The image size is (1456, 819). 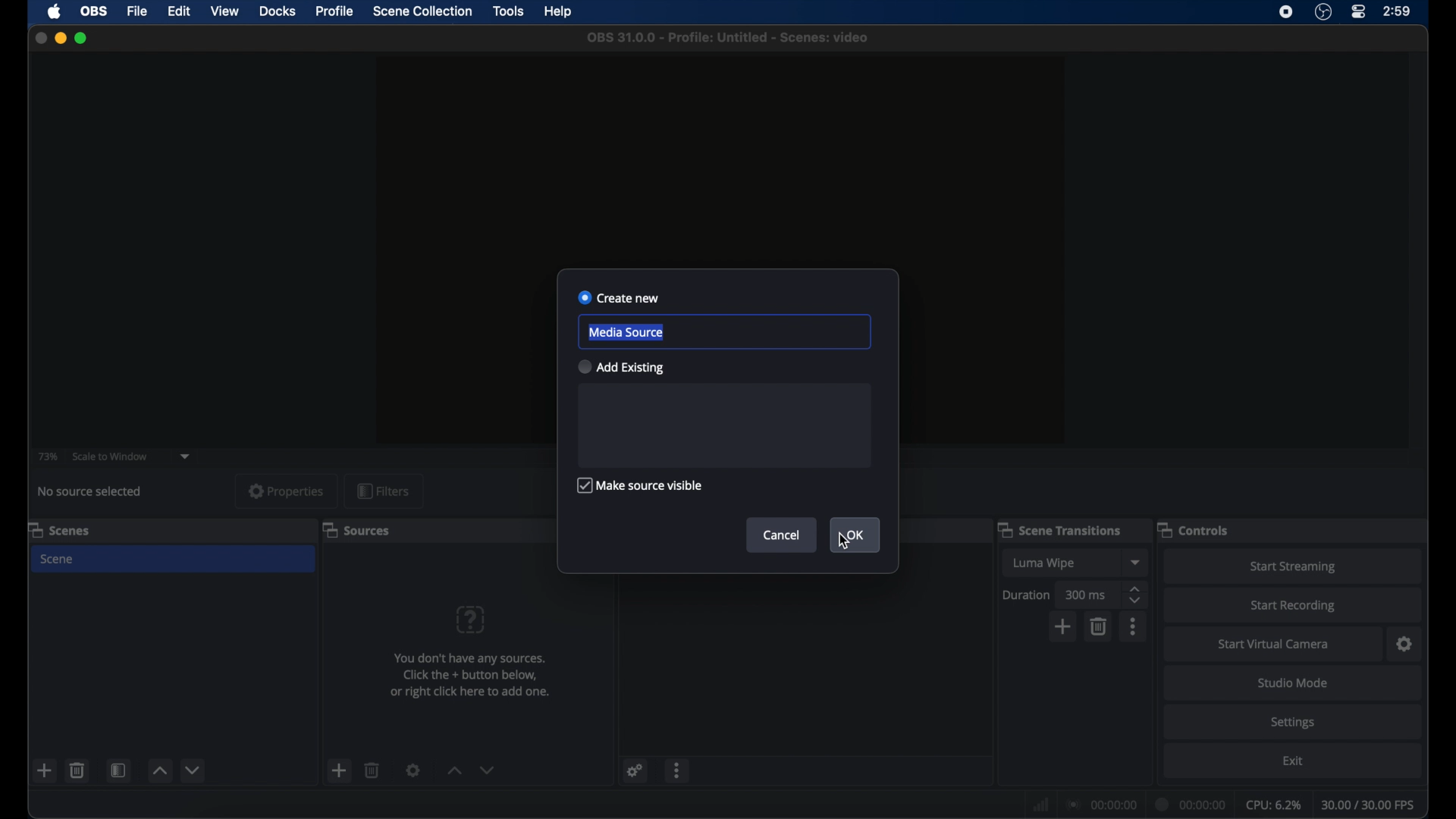 What do you see at coordinates (1059, 529) in the screenshot?
I see `scene transitions` at bounding box center [1059, 529].